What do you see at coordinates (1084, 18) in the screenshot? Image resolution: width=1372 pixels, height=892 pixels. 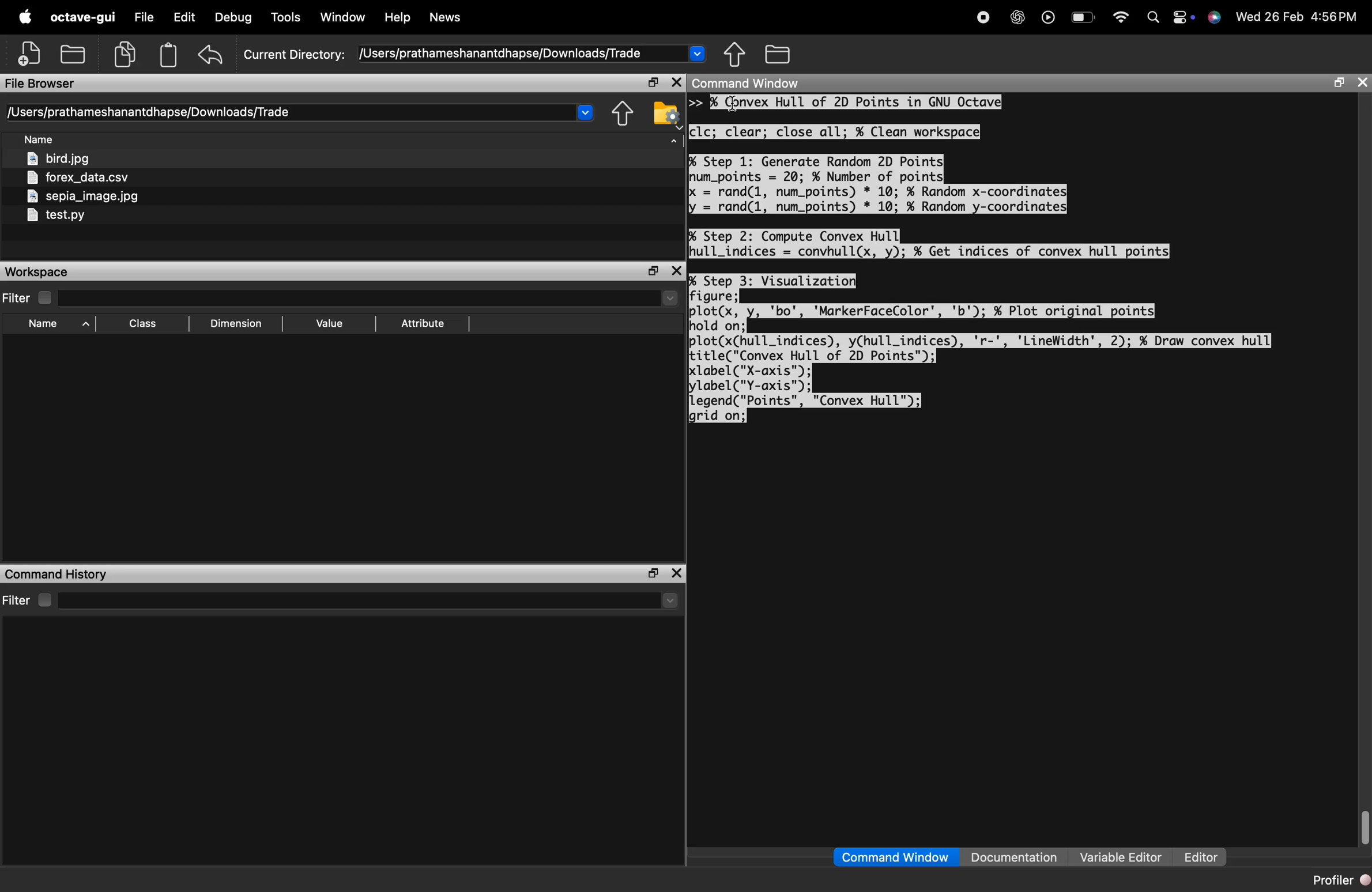 I see `Battery` at bounding box center [1084, 18].